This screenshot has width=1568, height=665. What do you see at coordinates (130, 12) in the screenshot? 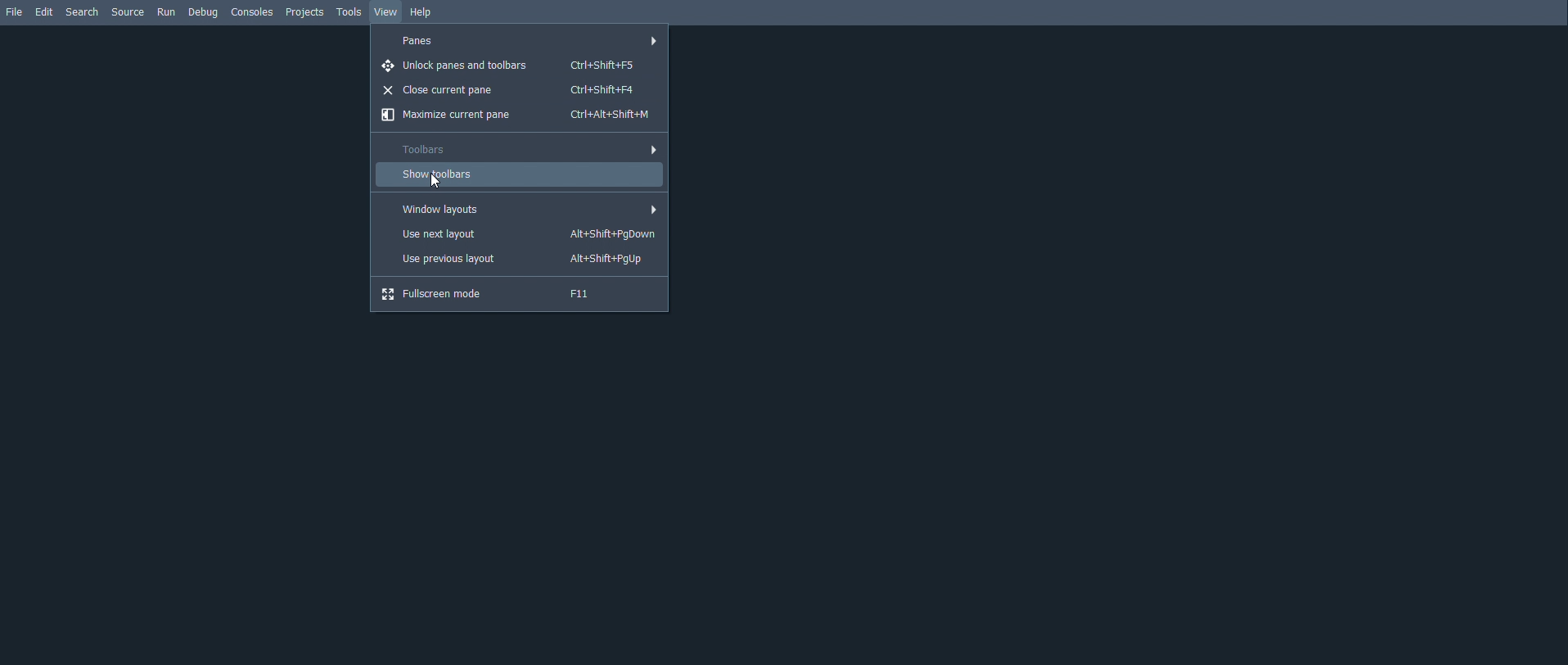
I see `Secure` at bounding box center [130, 12].